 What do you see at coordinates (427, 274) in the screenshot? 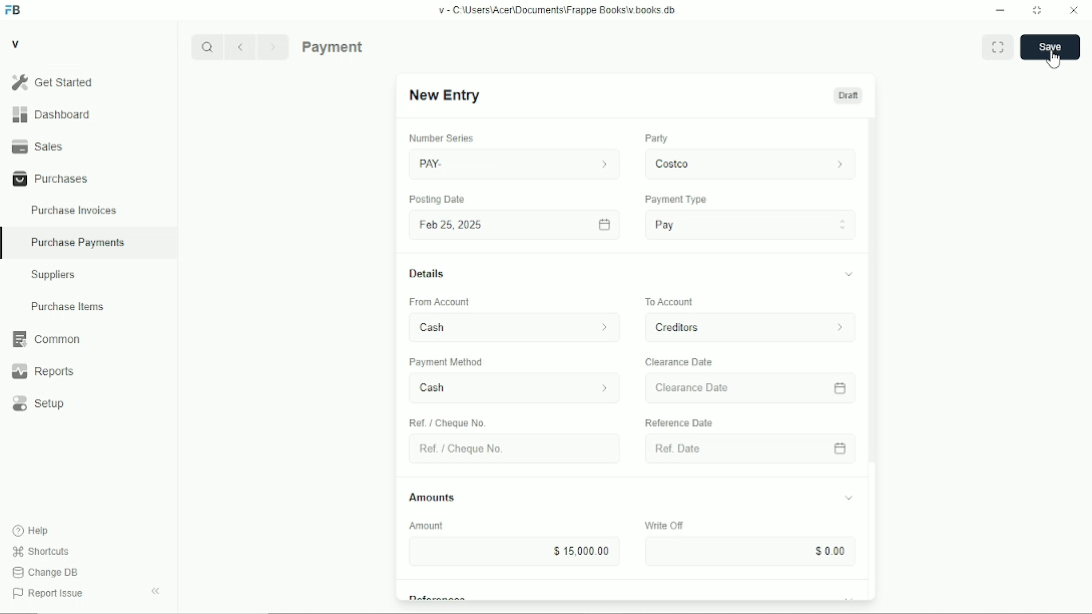
I see `Details` at bounding box center [427, 274].